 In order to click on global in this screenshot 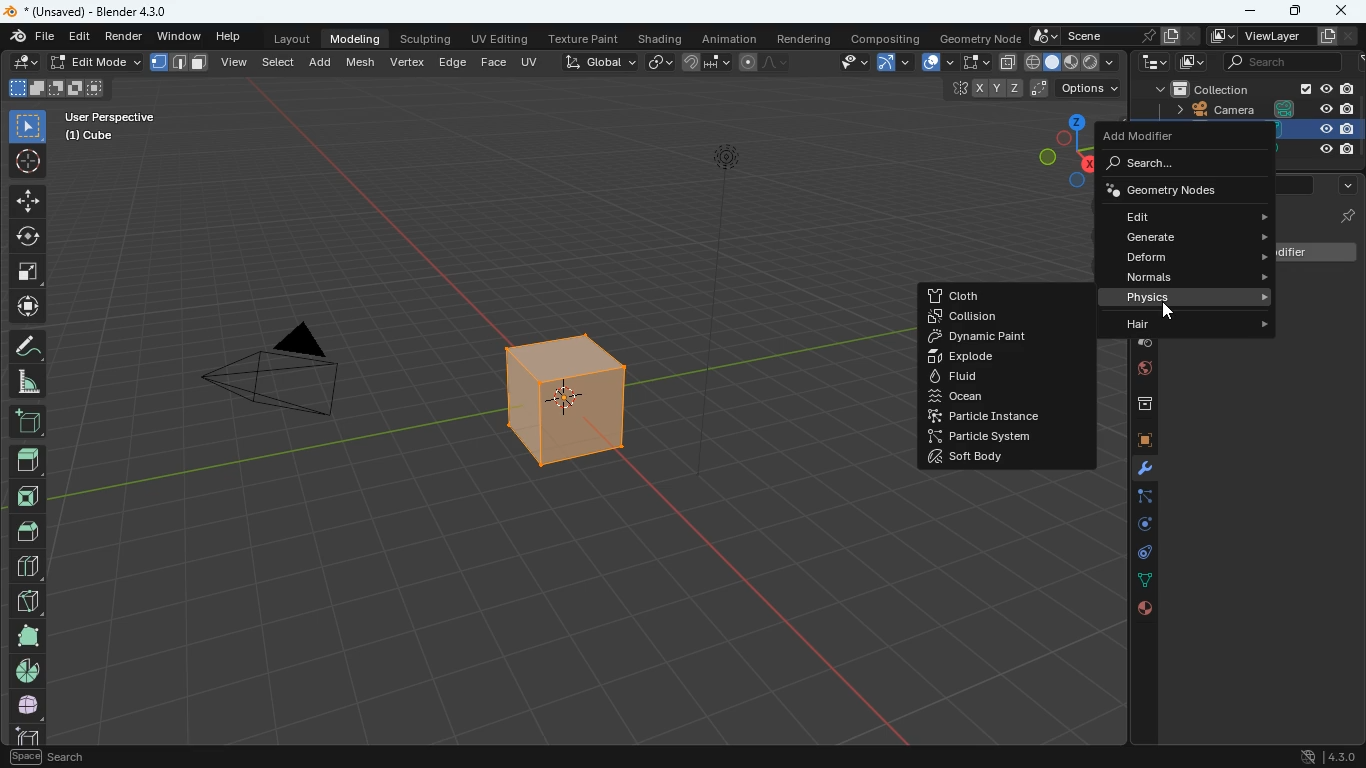, I will do `click(599, 61)`.